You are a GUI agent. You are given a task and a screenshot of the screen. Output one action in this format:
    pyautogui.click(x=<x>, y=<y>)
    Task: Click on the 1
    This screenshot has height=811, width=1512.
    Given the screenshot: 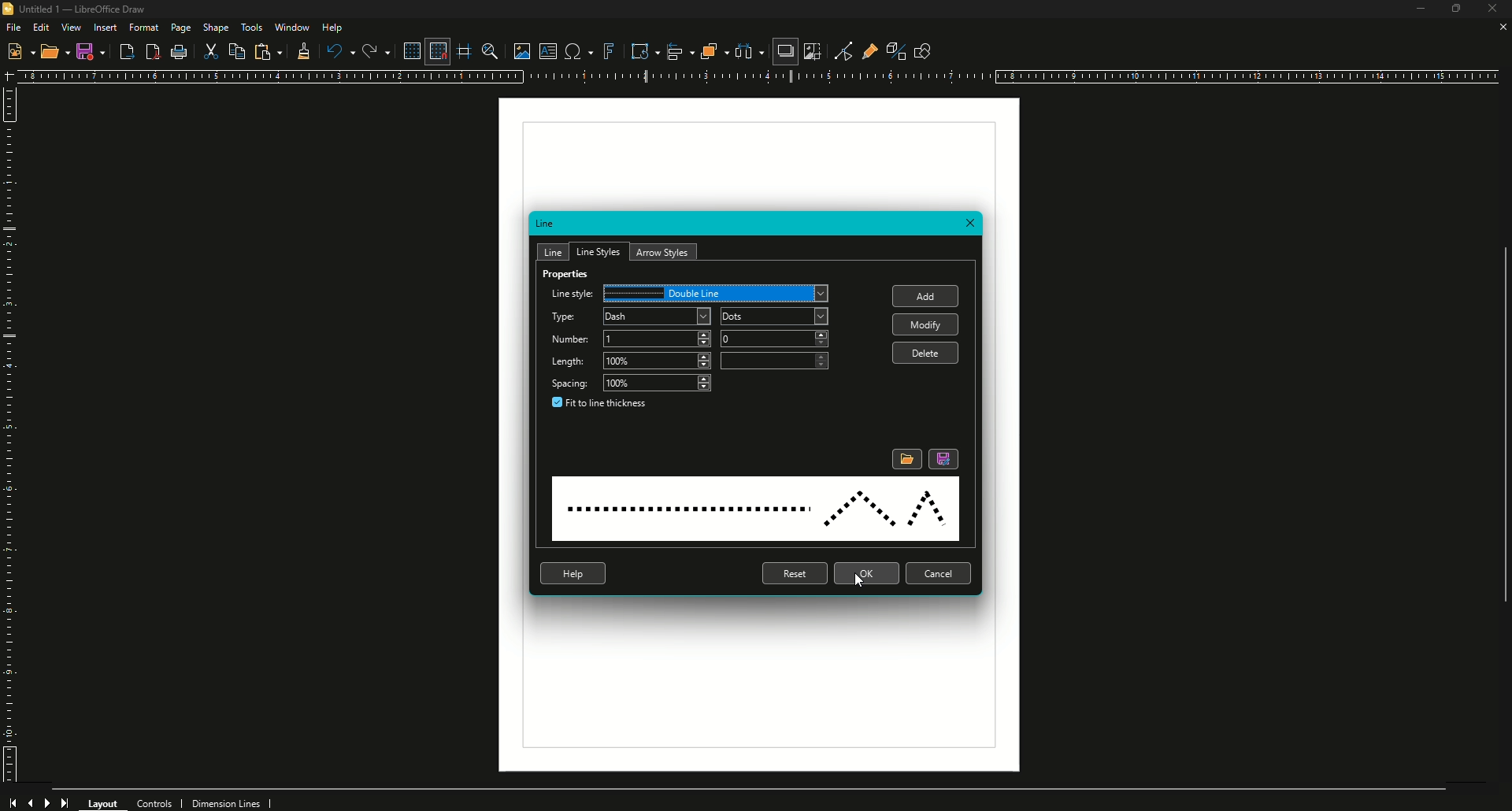 What is the action you would take?
    pyautogui.click(x=657, y=338)
    